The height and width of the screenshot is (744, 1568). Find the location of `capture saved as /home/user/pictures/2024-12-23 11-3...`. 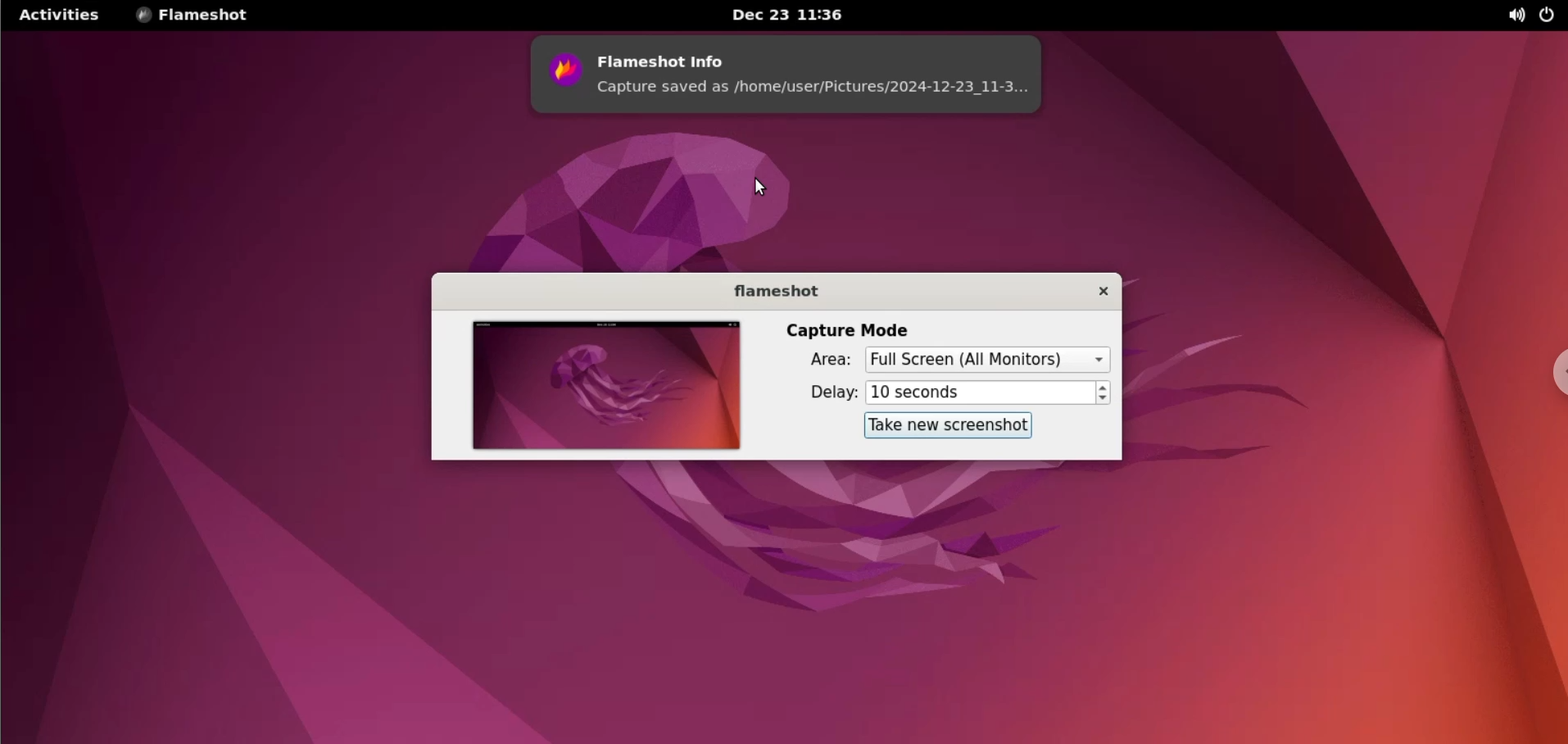

capture saved as /home/user/pictures/2024-12-23 11-3... is located at coordinates (817, 93).